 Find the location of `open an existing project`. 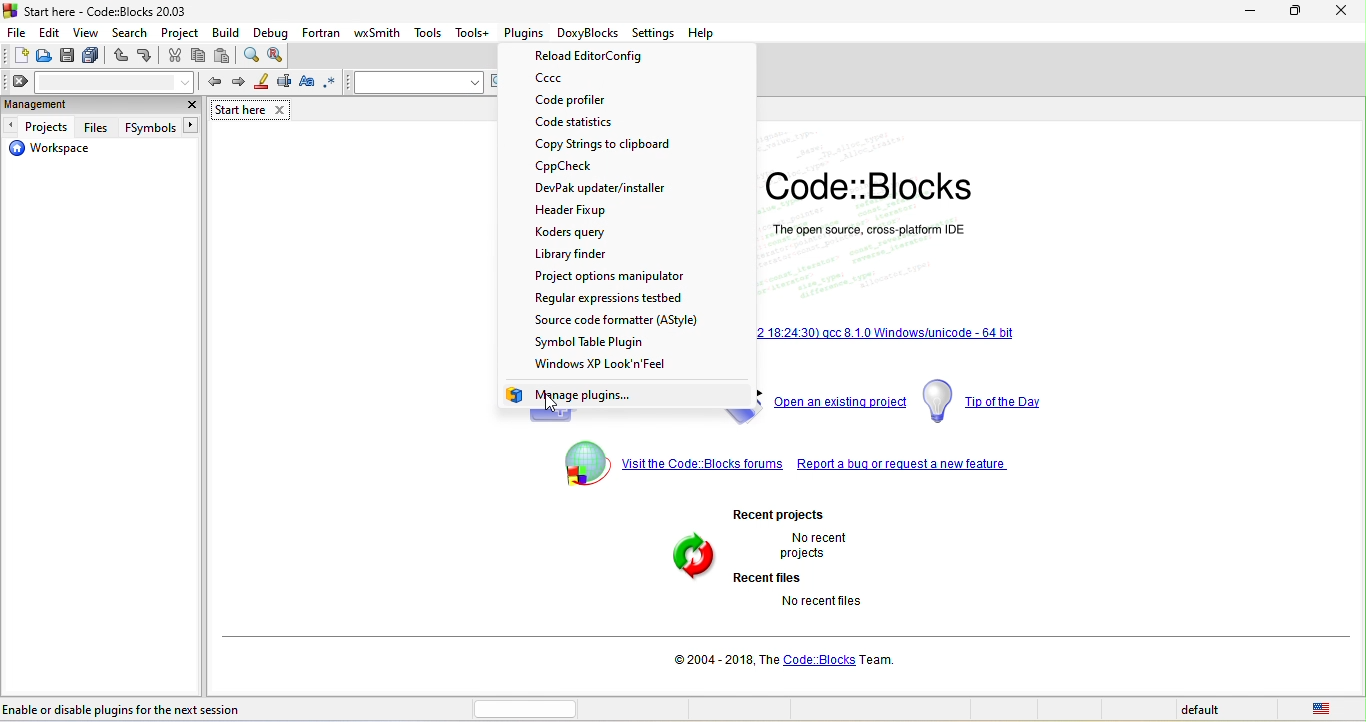

open an existing project is located at coordinates (841, 402).